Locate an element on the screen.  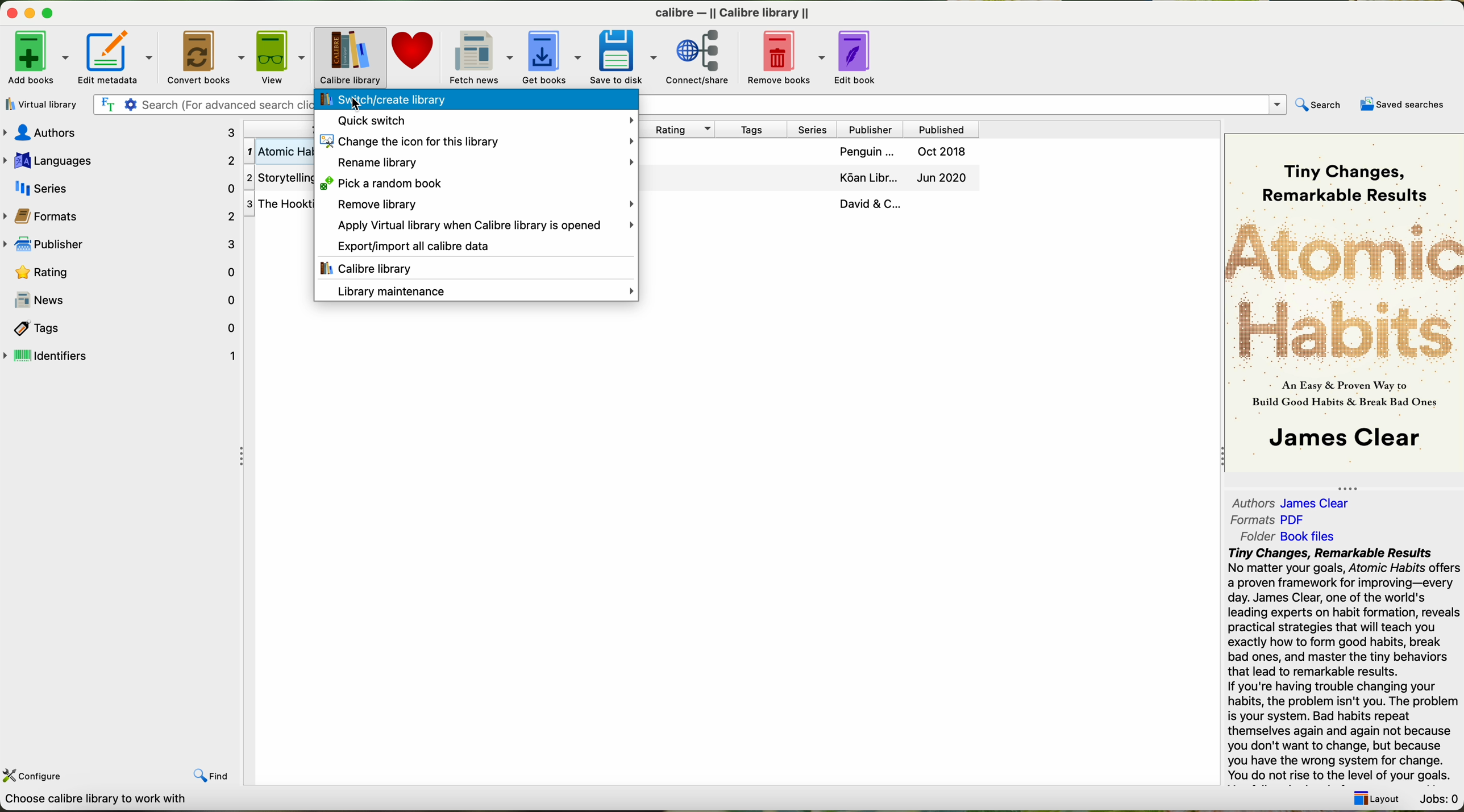
Tiny Changes, Remarkable Results is located at coordinates (1344, 170).